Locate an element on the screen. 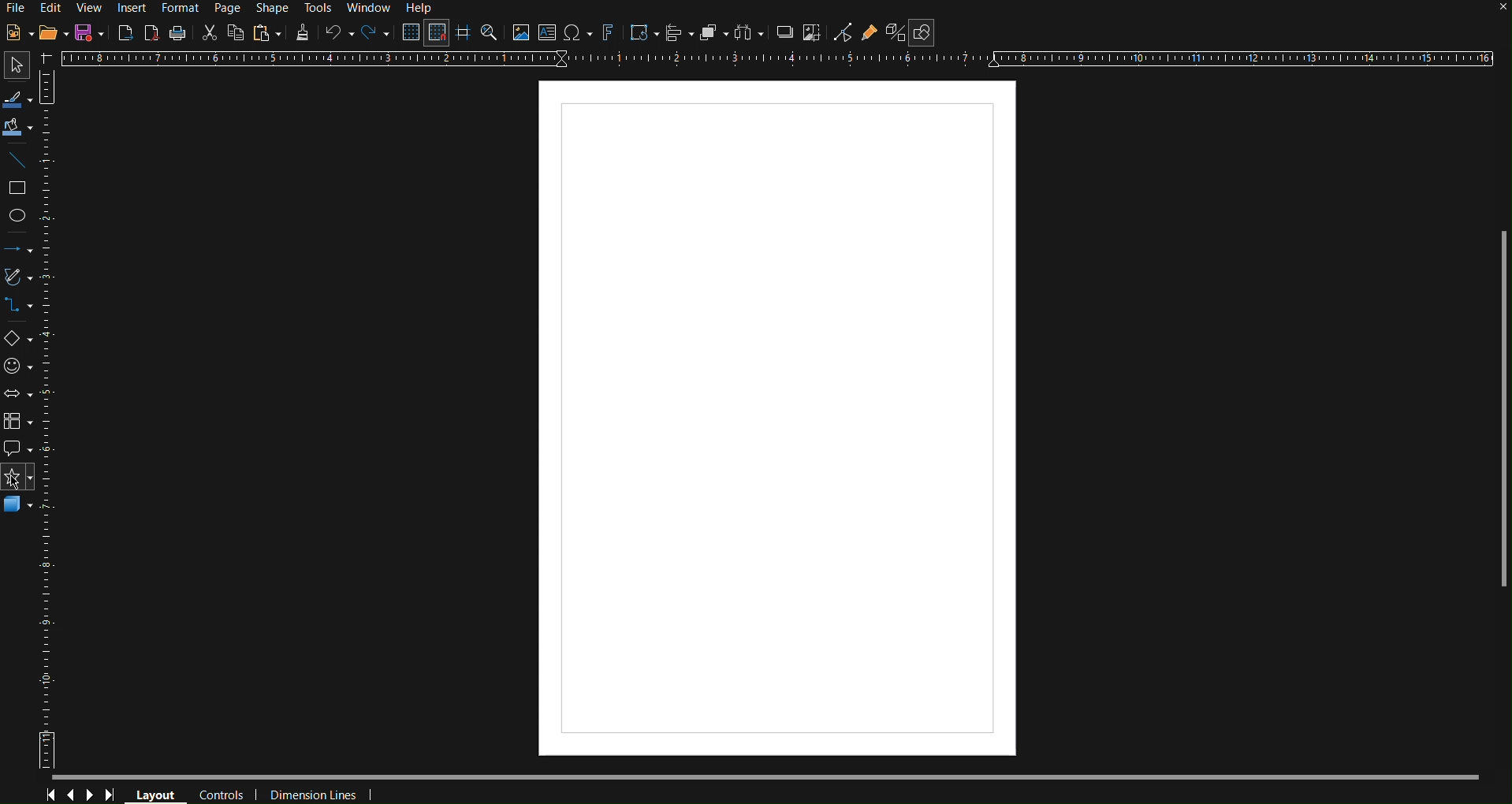 Image resolution: width=1512 pixels, height=804 pixels. 3D Objects is located at coordinates (19, 509).